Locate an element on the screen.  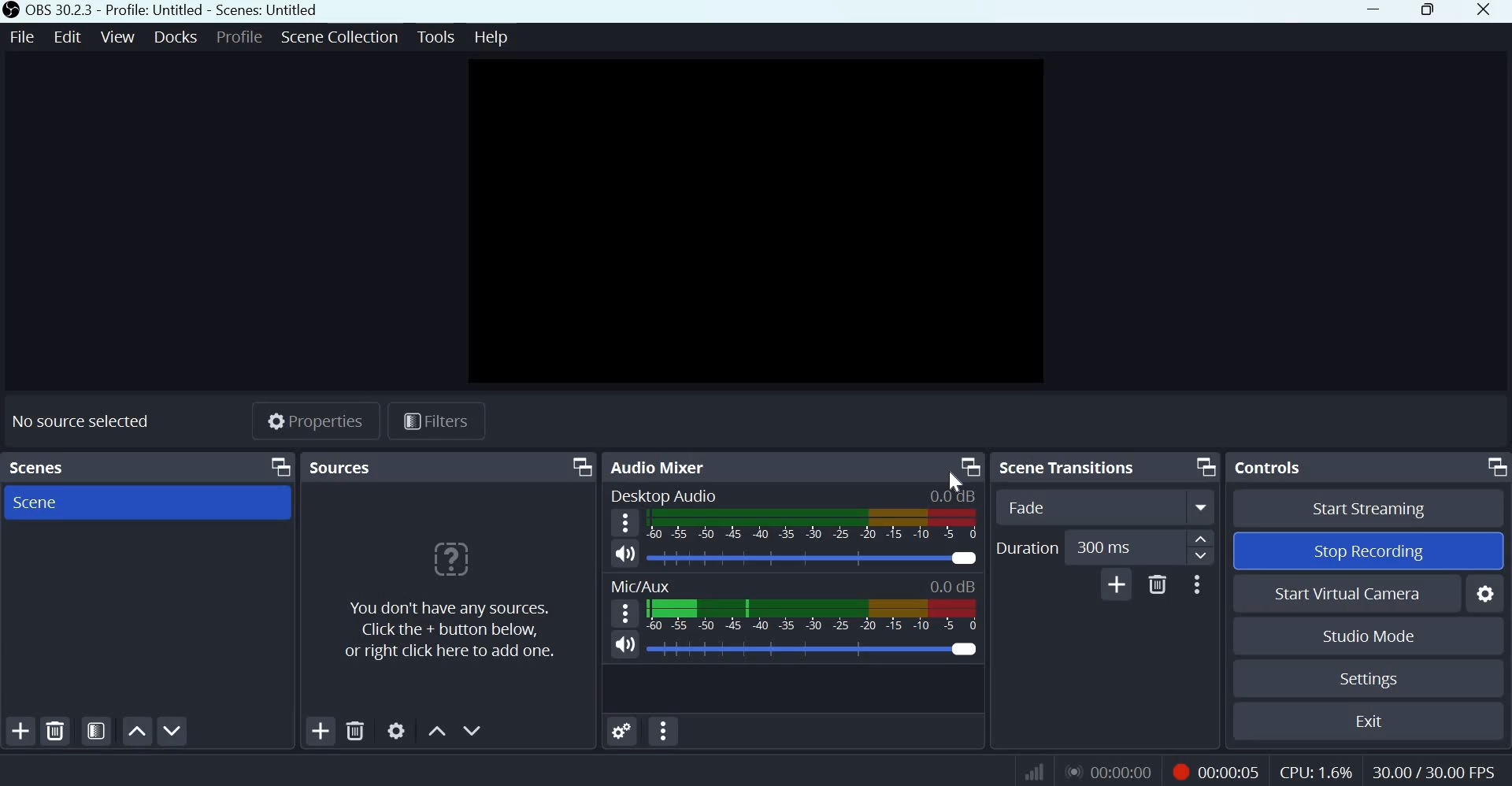
Edit is located at coordinates (66, 38).